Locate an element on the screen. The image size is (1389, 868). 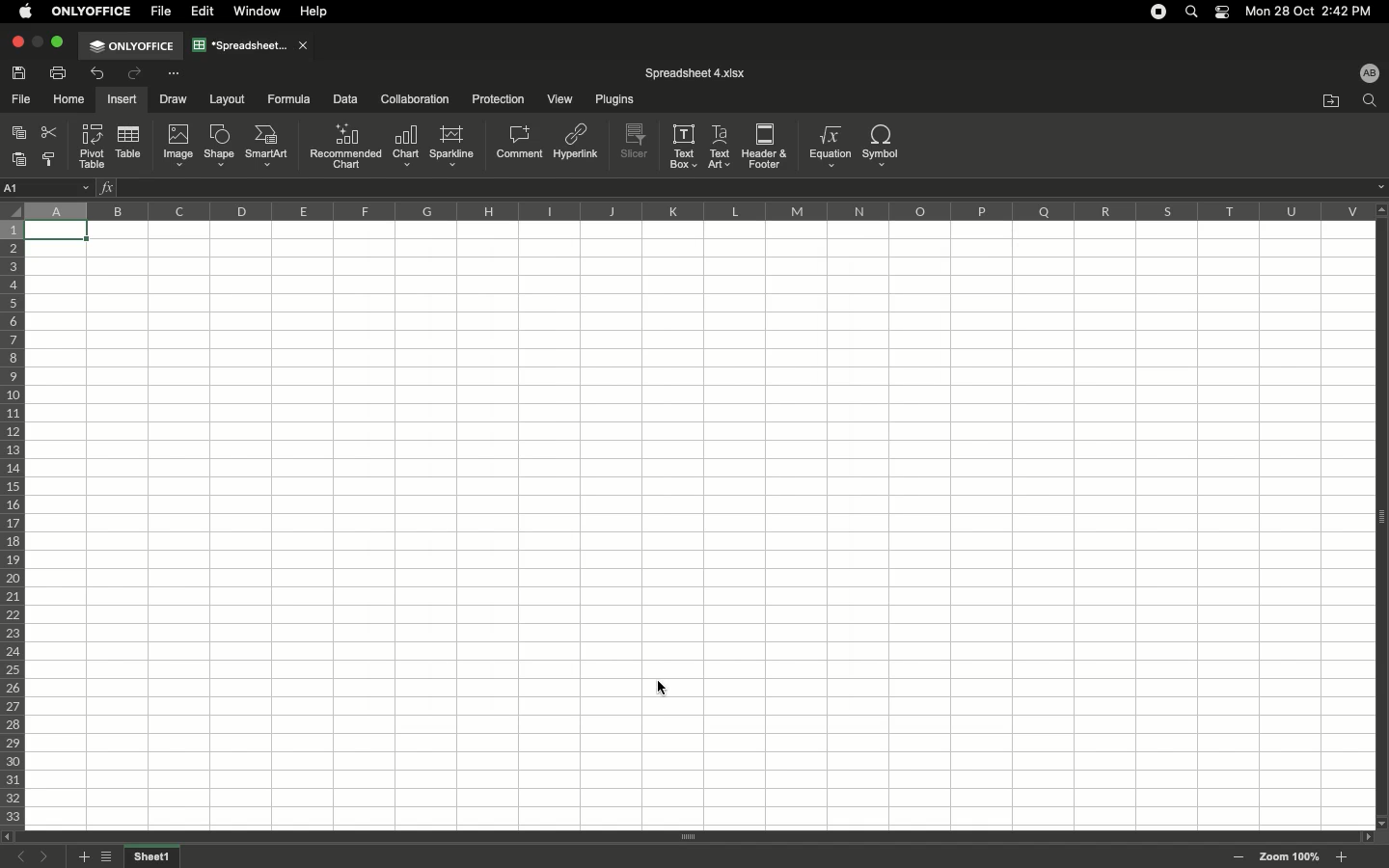
Selector is located at coordinates (11, 207).